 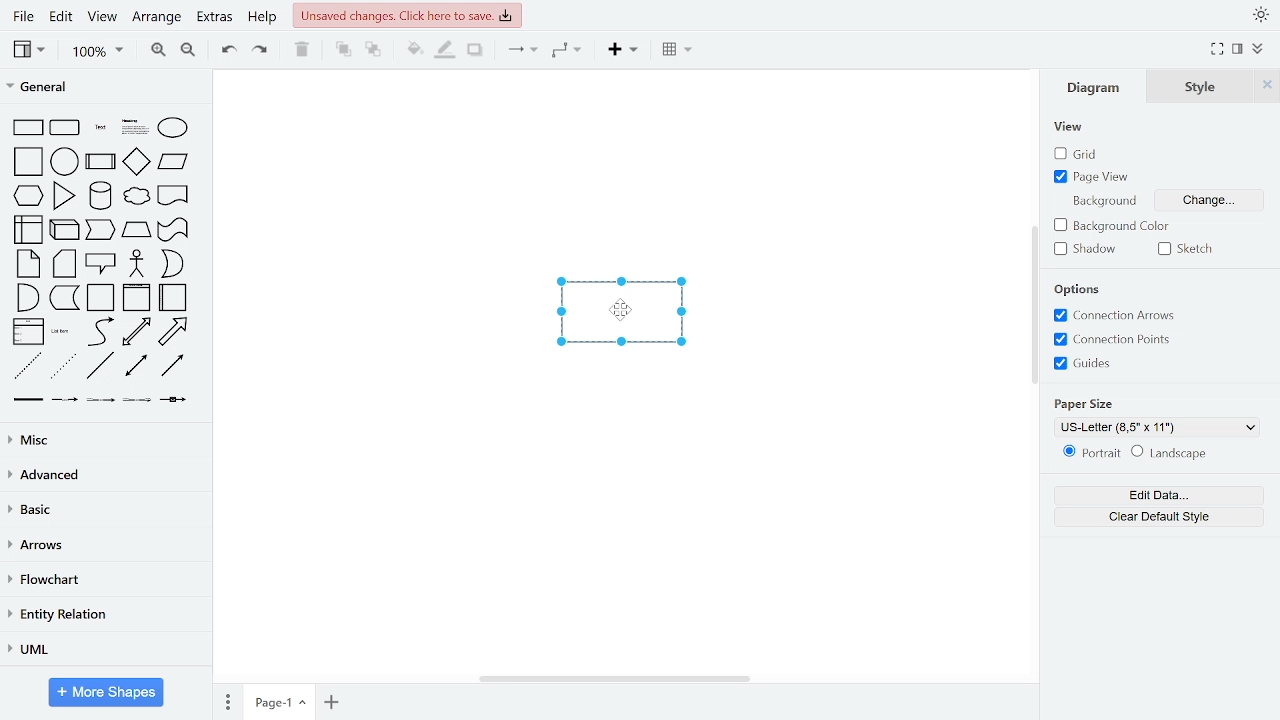 I want to click on general shapes, so click(x=136, y=161).